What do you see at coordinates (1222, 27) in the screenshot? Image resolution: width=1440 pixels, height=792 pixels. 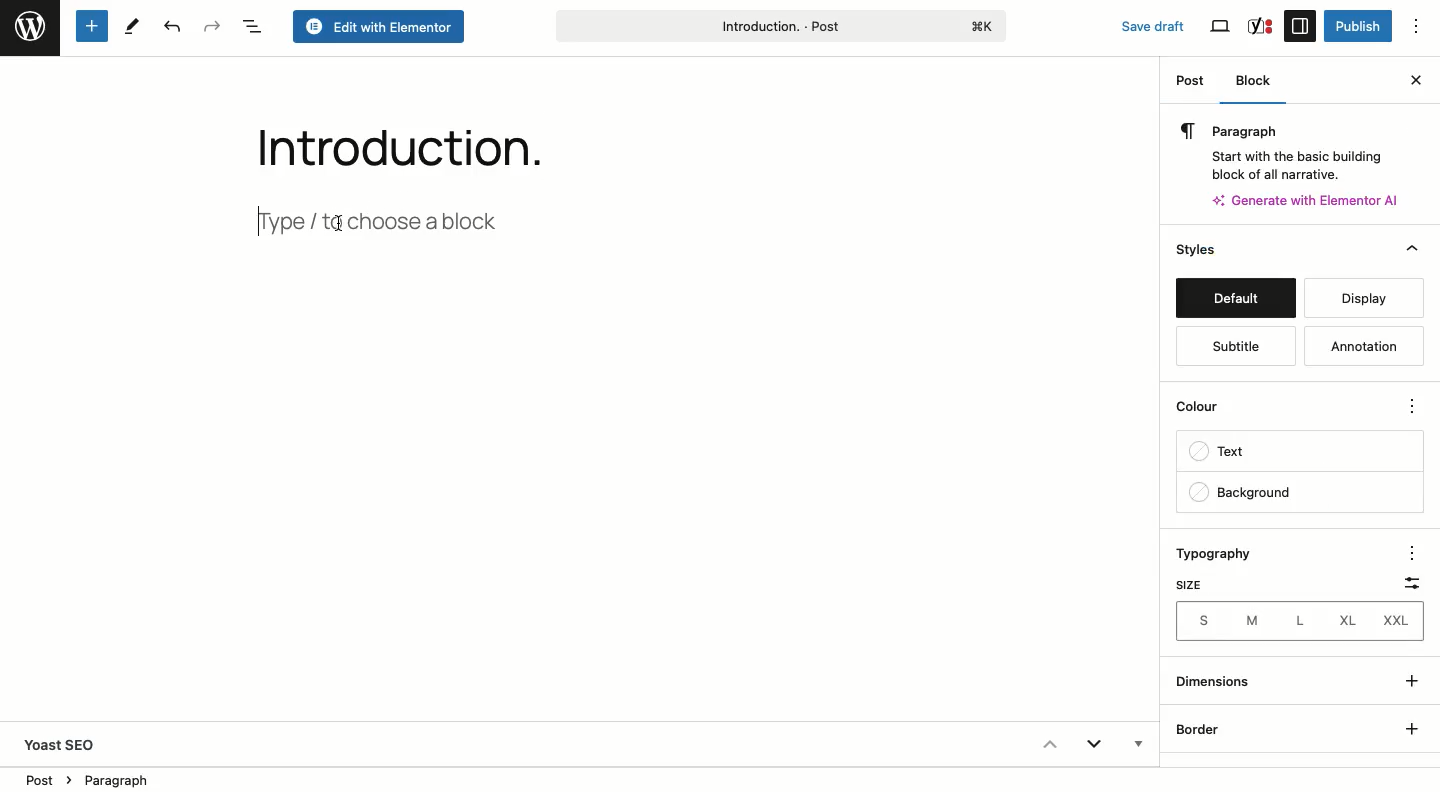 I see `View` at bounding box center [1222, 27].